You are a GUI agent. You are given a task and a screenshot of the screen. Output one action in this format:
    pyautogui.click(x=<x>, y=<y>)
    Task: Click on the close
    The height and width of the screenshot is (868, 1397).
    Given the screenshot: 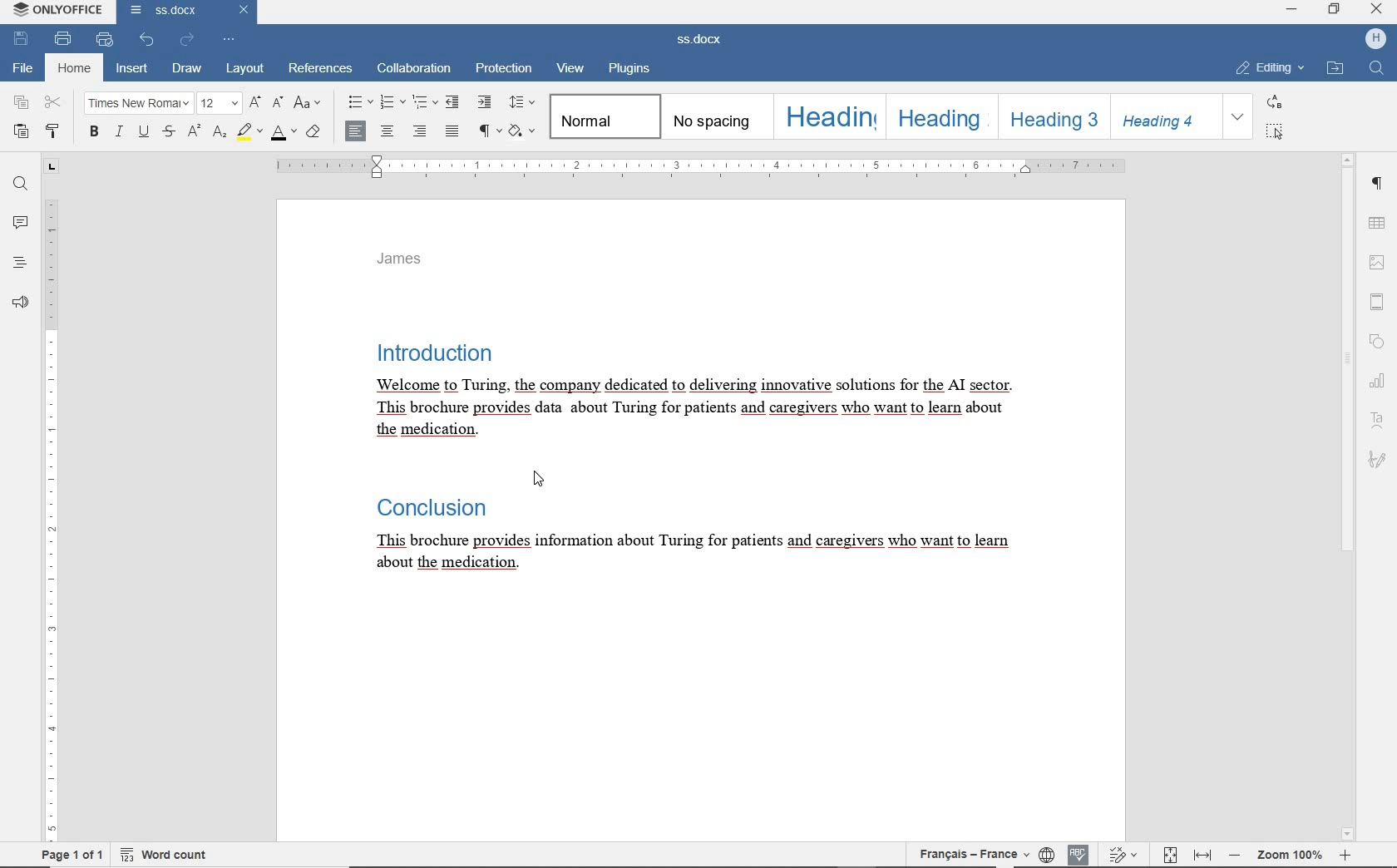 What is the action you would take?
    pyautogui.click(x=1375, y=8)
    